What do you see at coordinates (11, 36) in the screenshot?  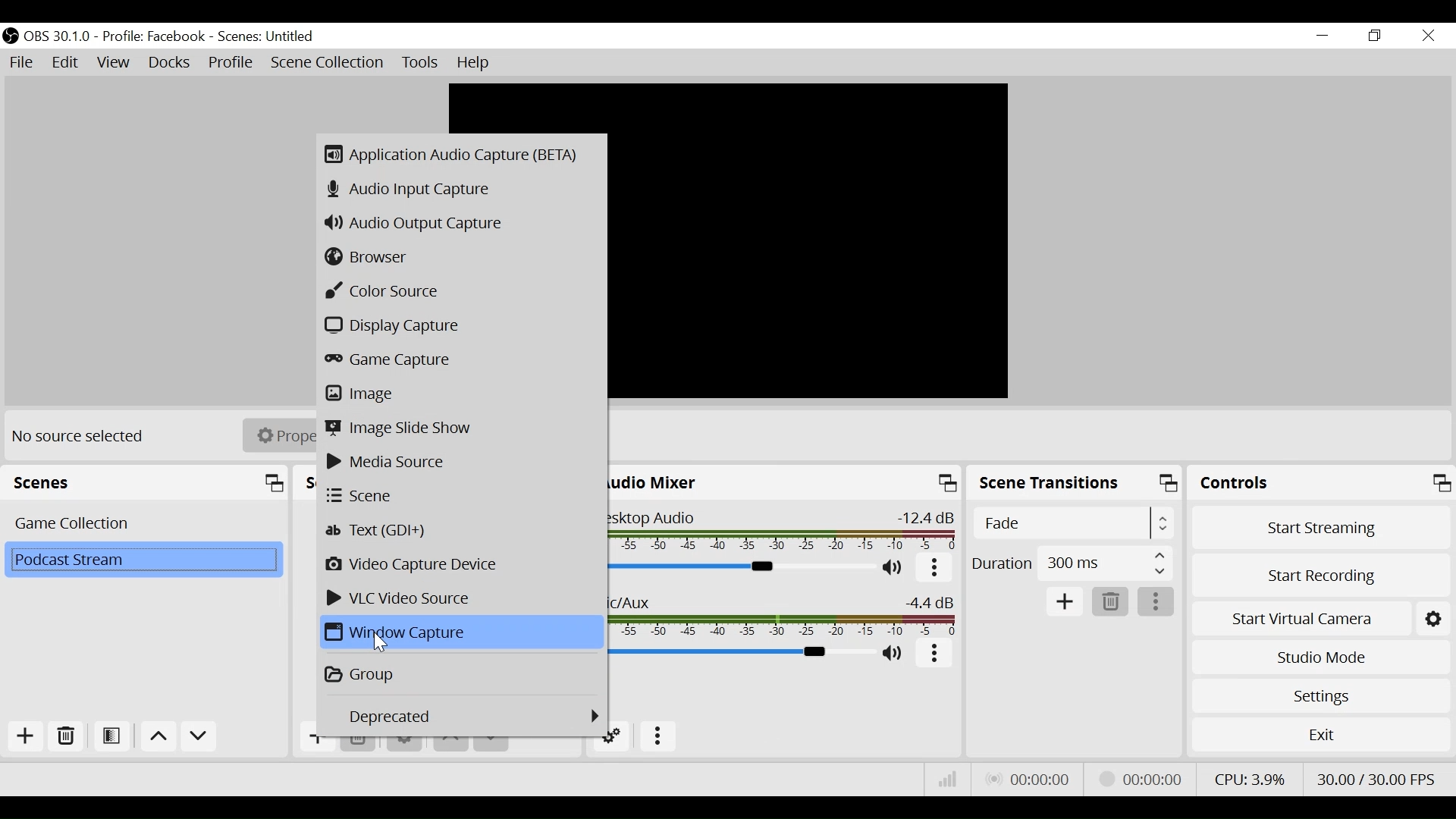 I see `OBS Studio Desktop Icon` at bounding box center [11, 36].